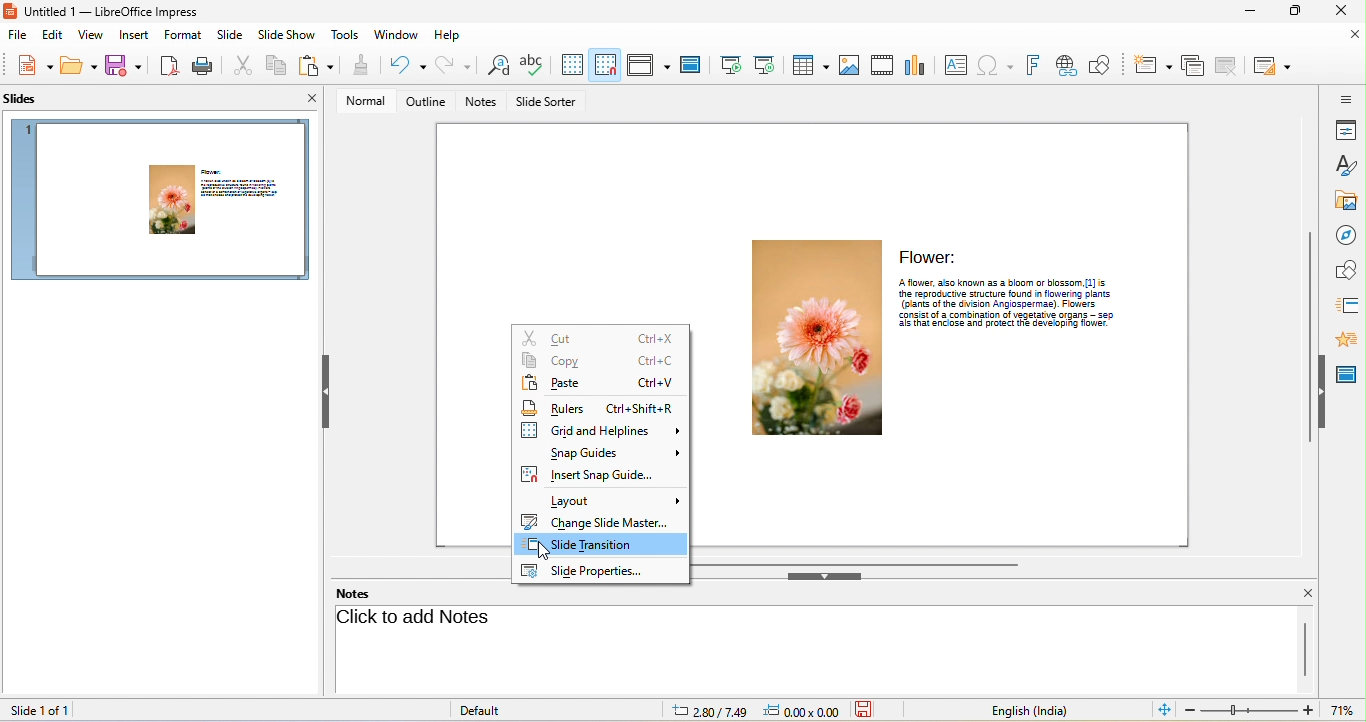 The width and height of the screenshot is (1366, 722). What do you see at coordinates (917, 65) in the screenshot?
I see `chart` at bounding box center [917, 65].